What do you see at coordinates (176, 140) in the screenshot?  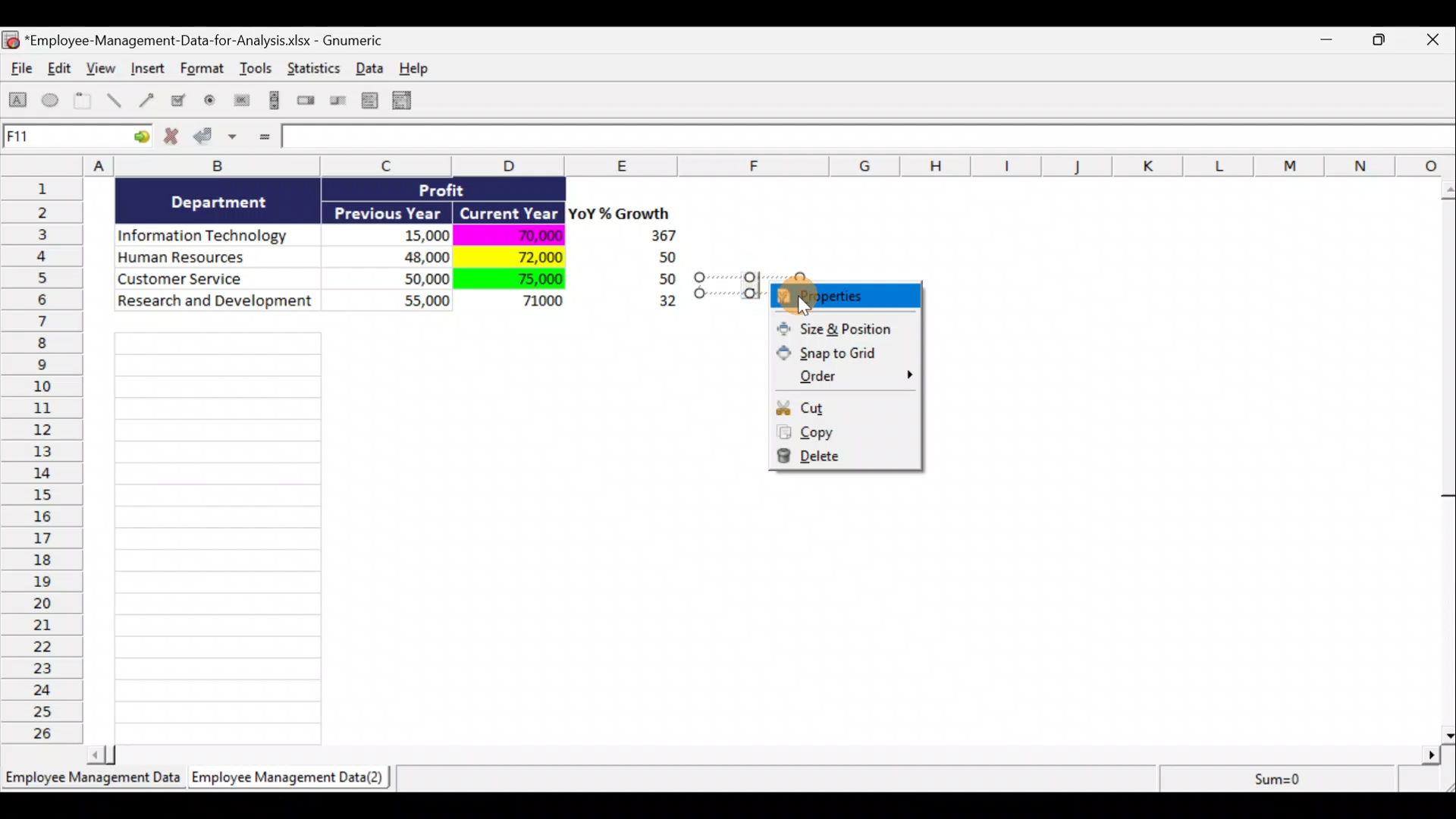 I see `Cancel change` at bounding box center [176, 140].